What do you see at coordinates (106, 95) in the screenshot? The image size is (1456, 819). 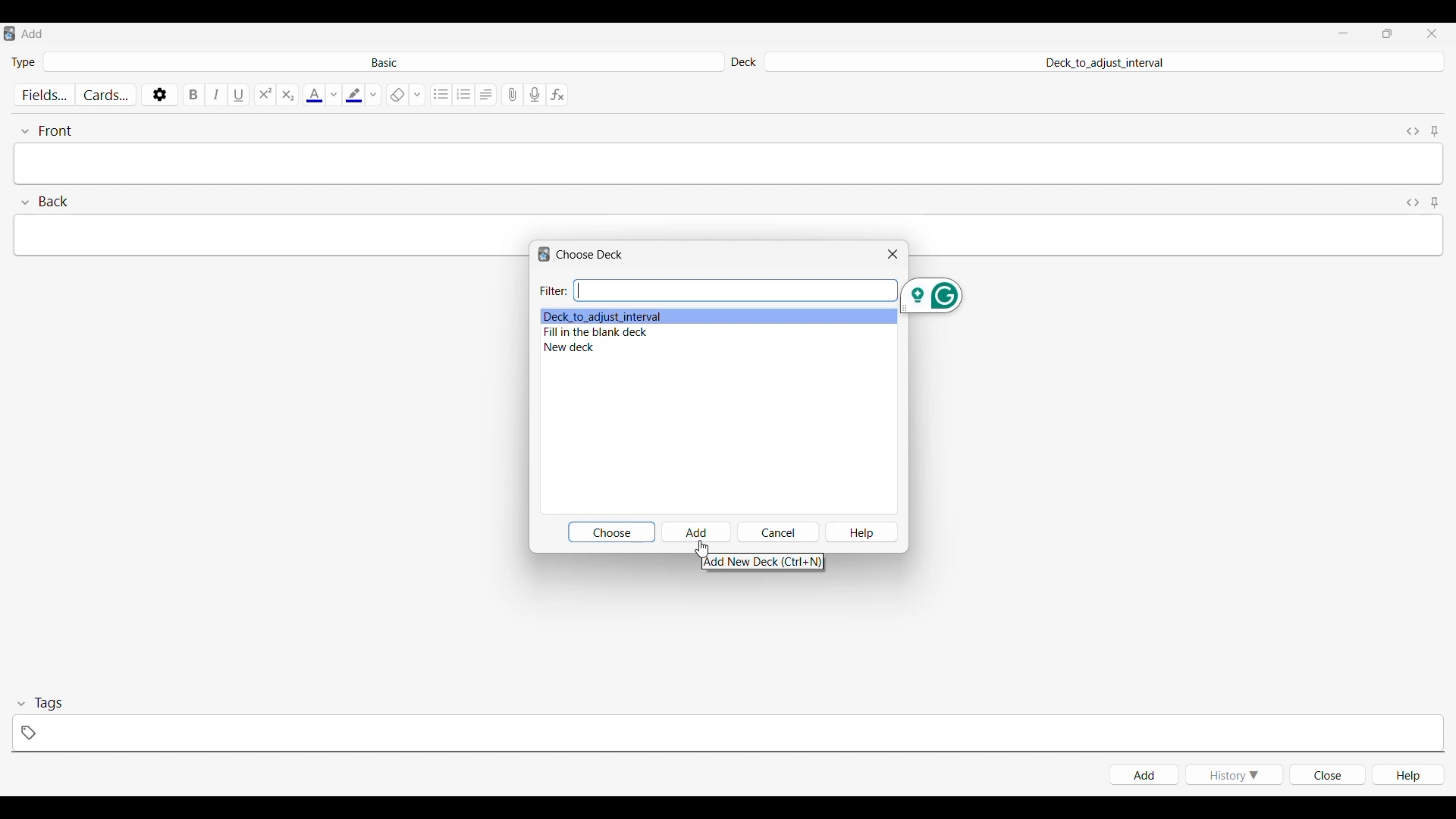 I see `Customize cards` at bounding box center [106, 95].